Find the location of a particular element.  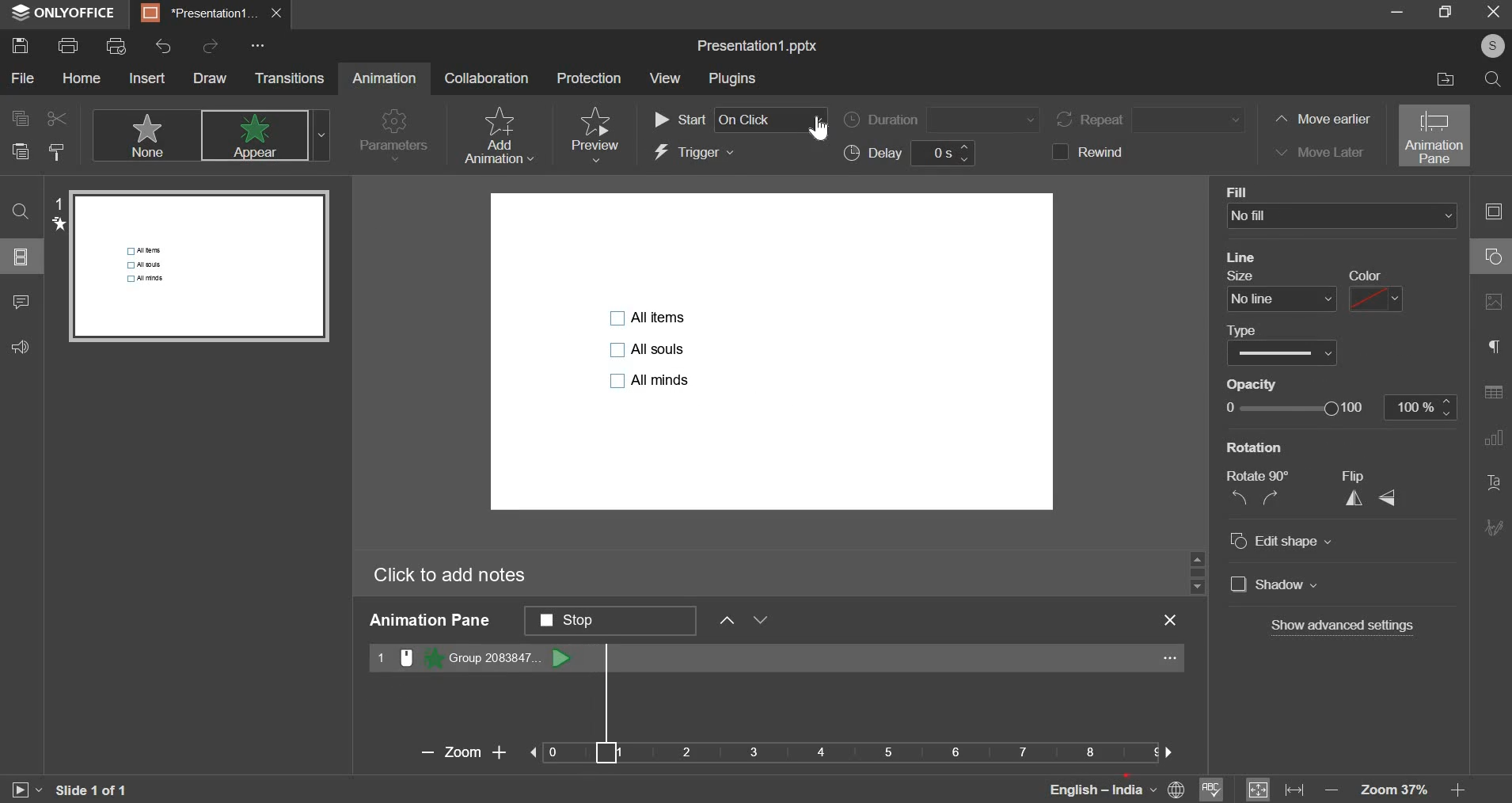

animation pane is located at coordinates (1435, 135).